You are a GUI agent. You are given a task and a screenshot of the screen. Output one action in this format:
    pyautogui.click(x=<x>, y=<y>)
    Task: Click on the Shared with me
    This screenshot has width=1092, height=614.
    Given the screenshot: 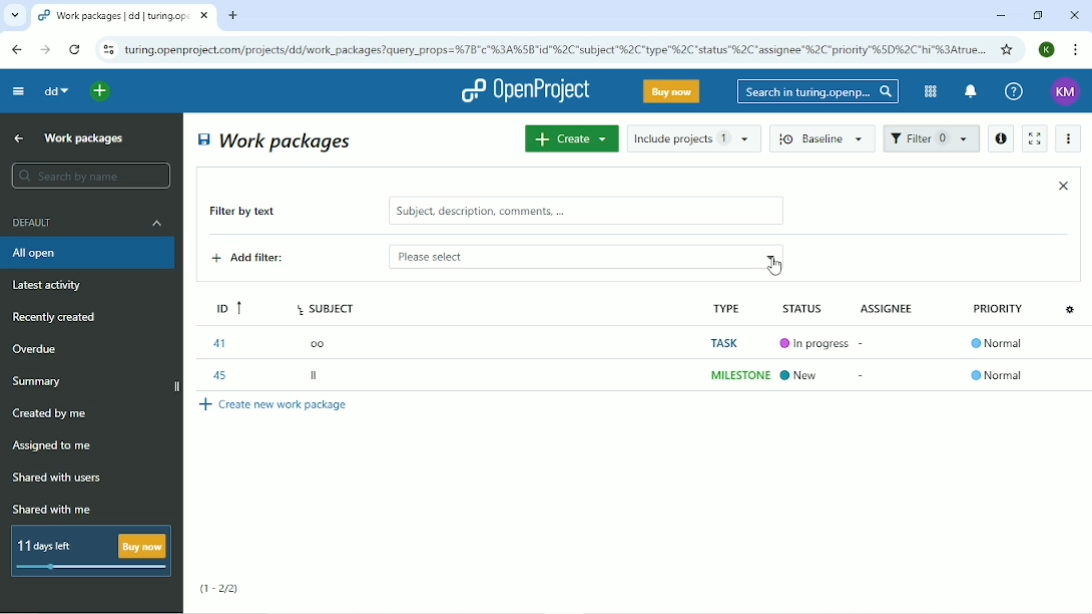 What is the action you would take?
    pyautogui.click(x=54, y=509)
    